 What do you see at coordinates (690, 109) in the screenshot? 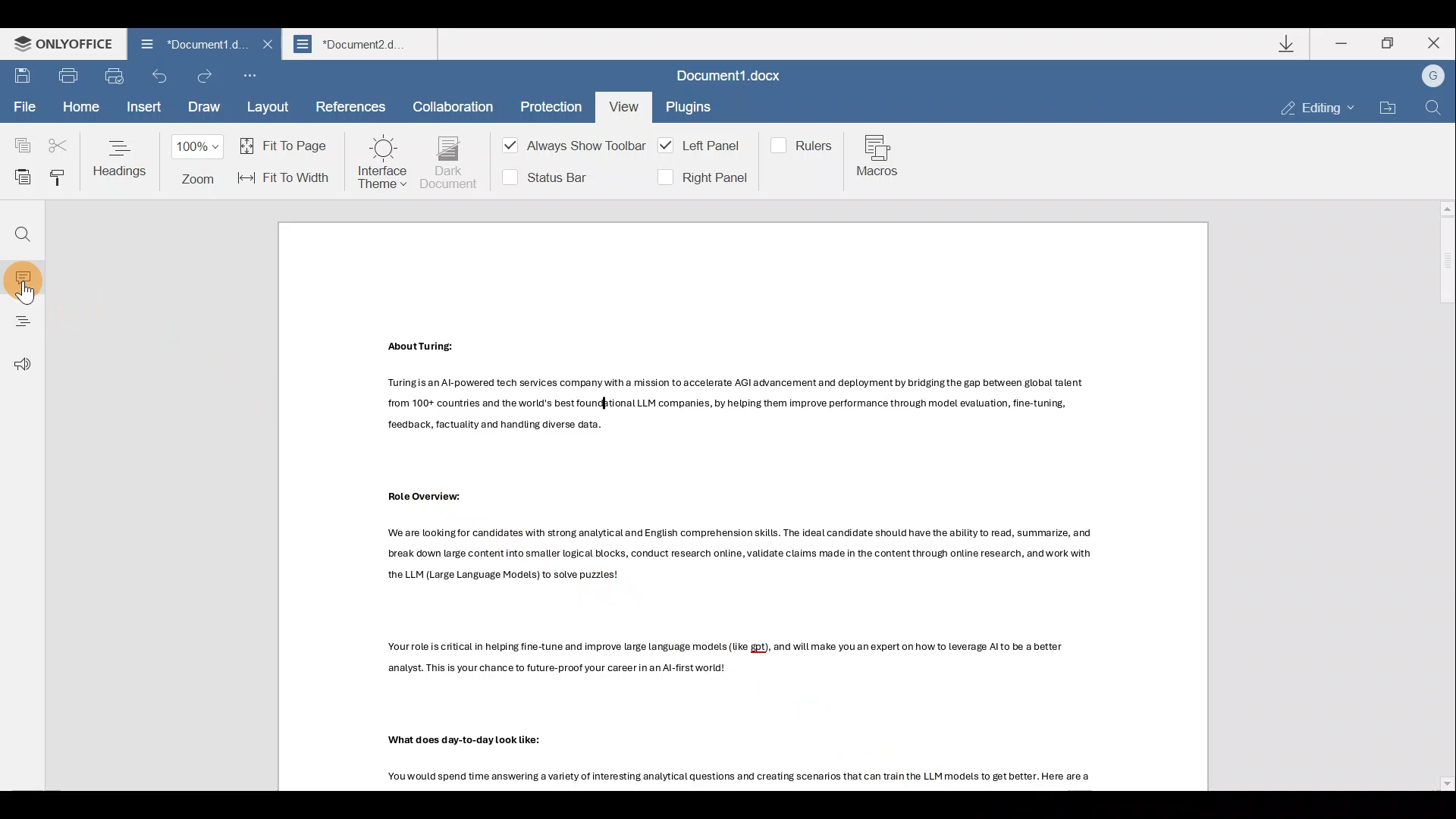
I see `Plugins` at bounding box center [690, 109].